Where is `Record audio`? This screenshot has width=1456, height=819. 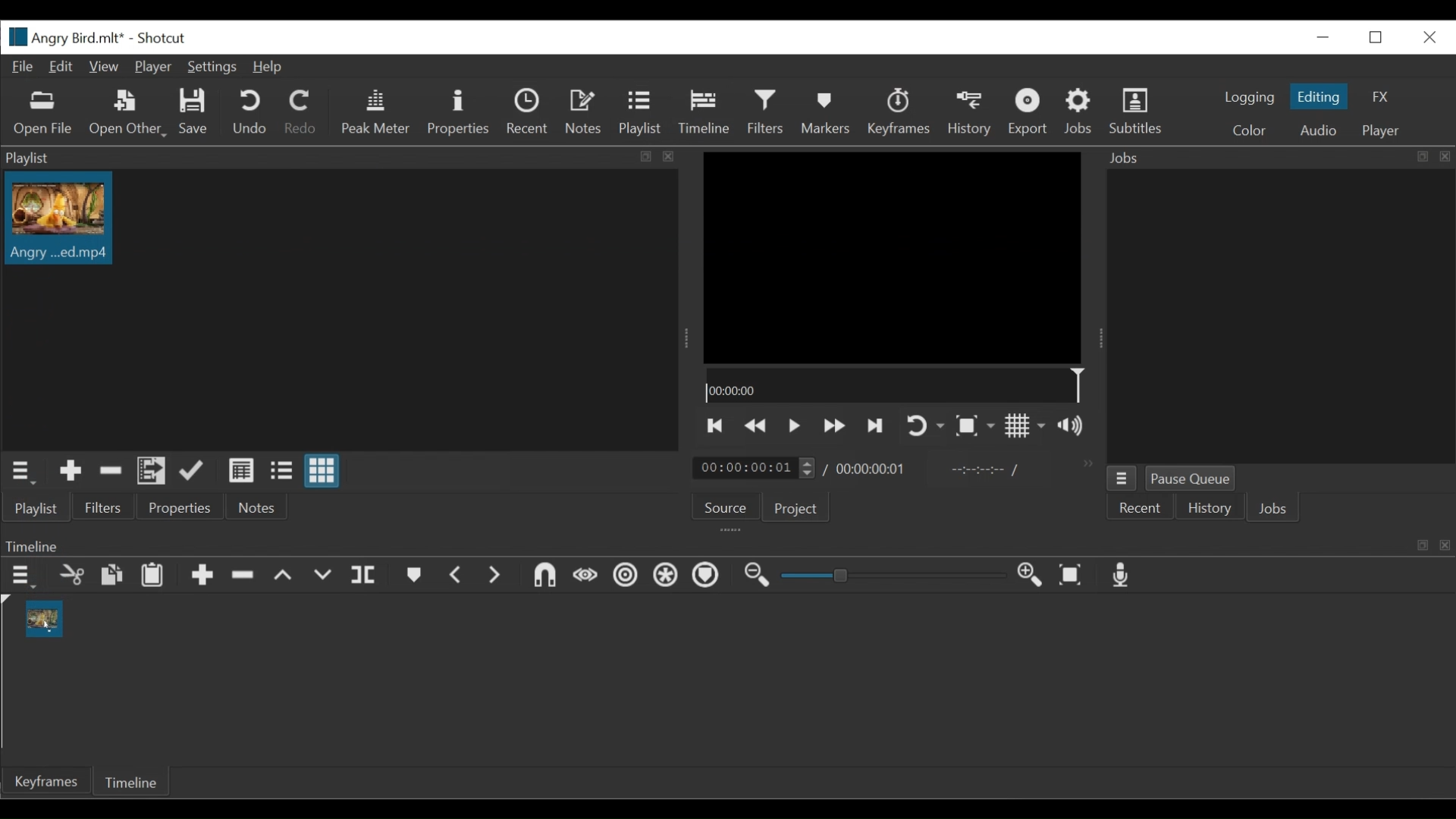
Record audio is located at coordinates (1120, 577).